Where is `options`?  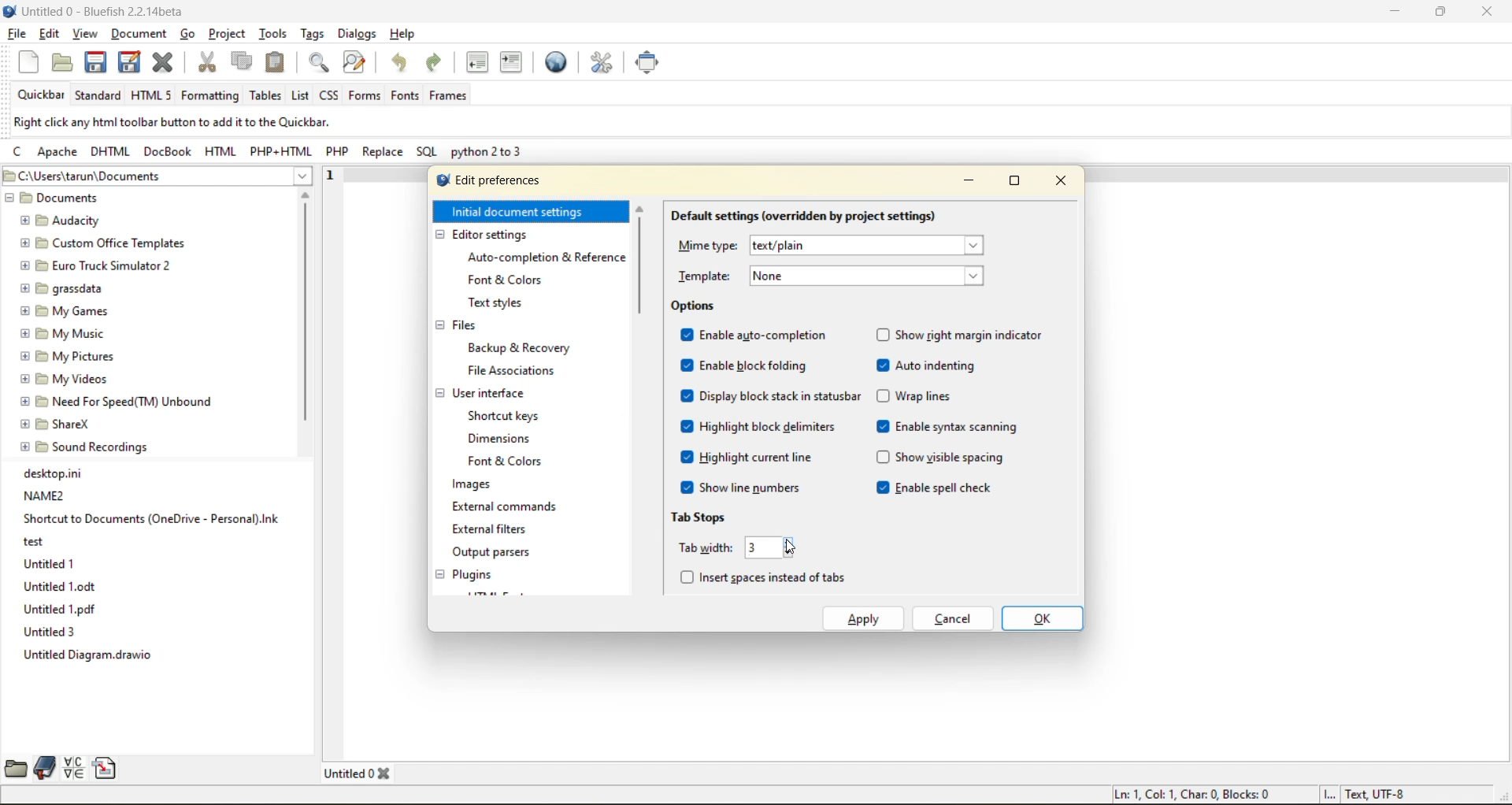 options is located at coordinates (693, 306).